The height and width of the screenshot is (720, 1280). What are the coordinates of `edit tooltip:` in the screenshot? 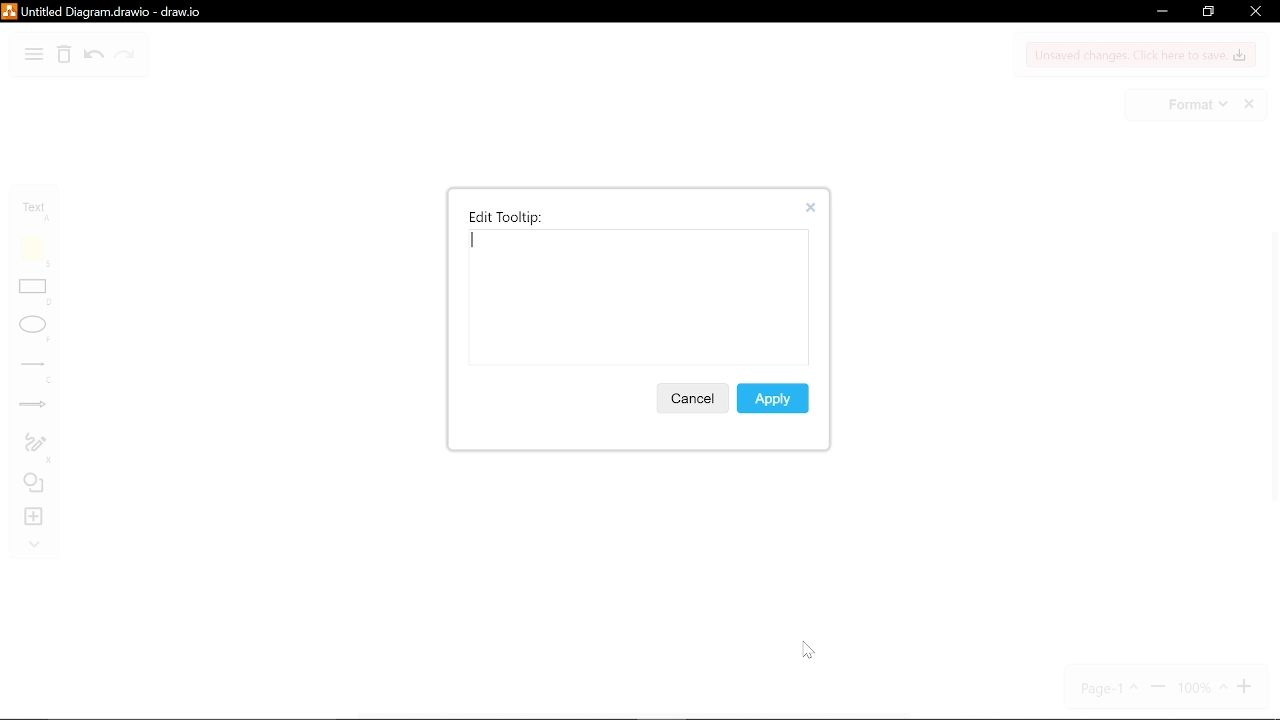 It's located at (506, 217).